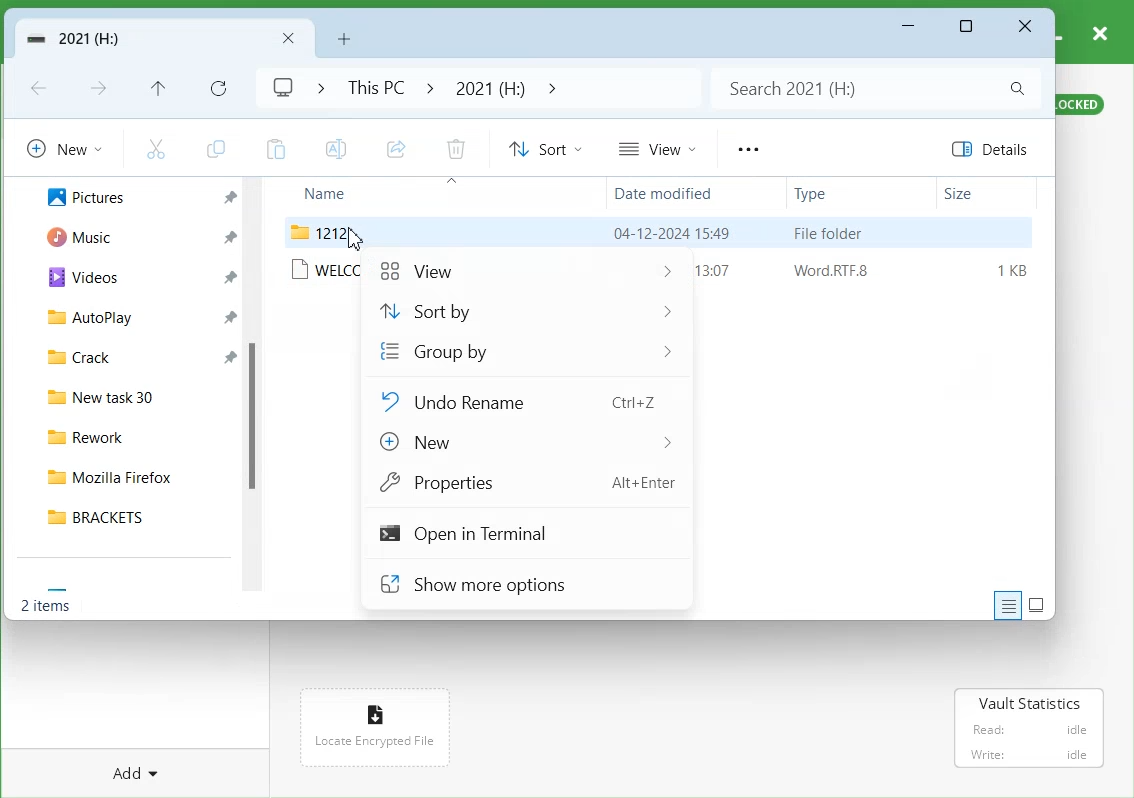 The height and width of the screenshot is (798, 1134). I want to click on Close Folder, so click(289, 38).